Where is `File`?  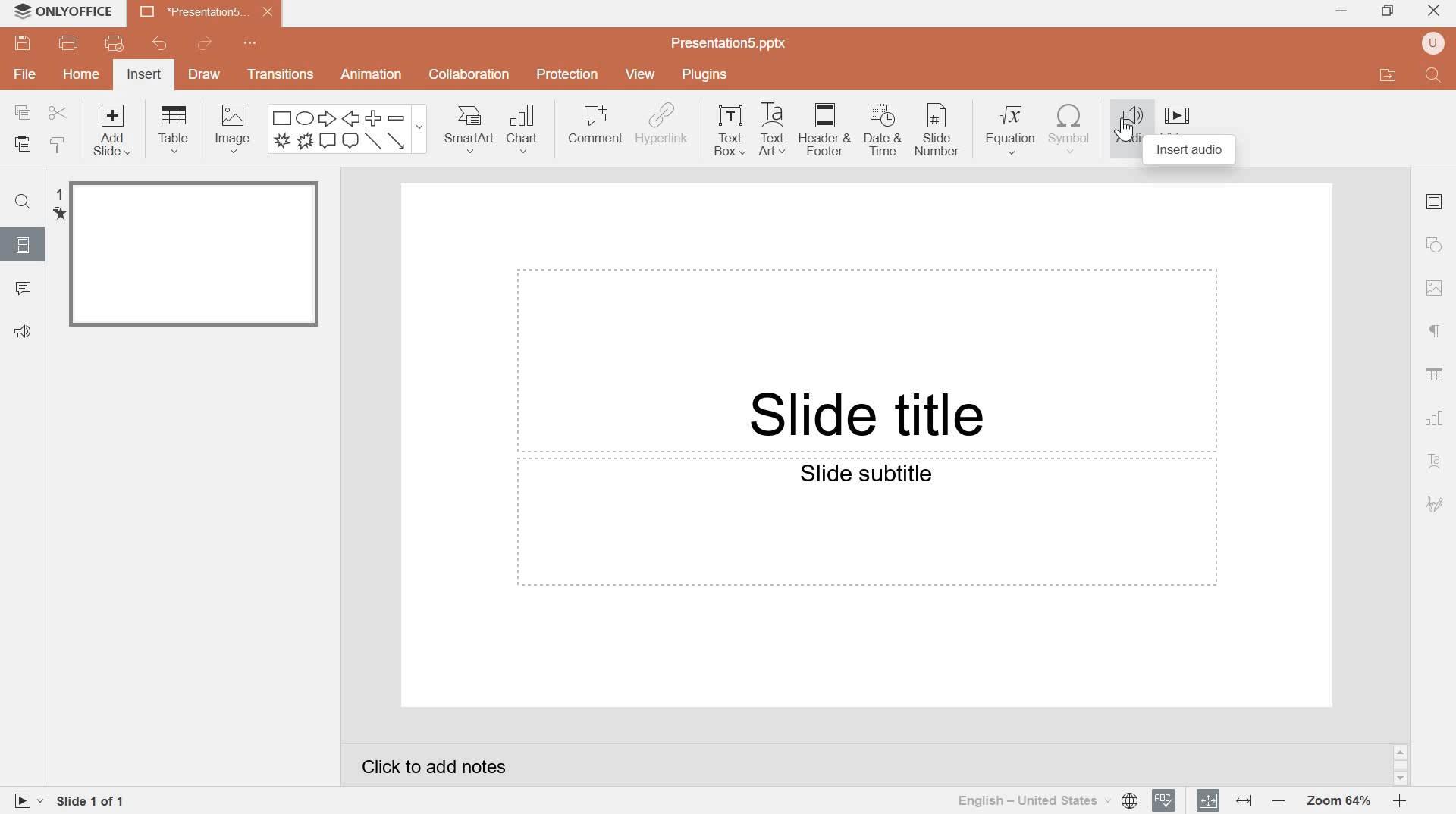 File is located at coordinates (24, 75).